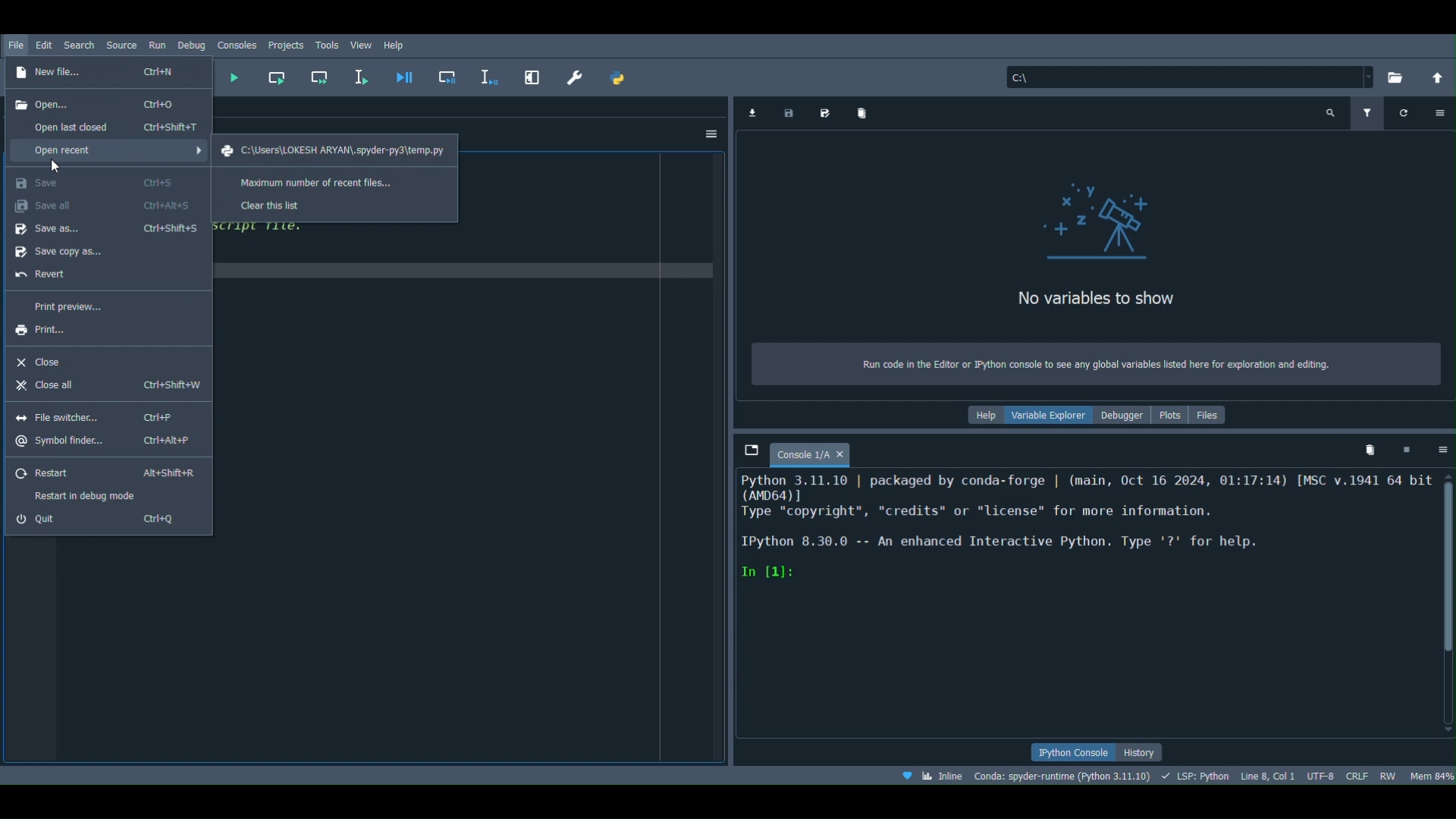  Describe the element at coordinates (192, 45) in the screenshot. I see `Debug` at that location.